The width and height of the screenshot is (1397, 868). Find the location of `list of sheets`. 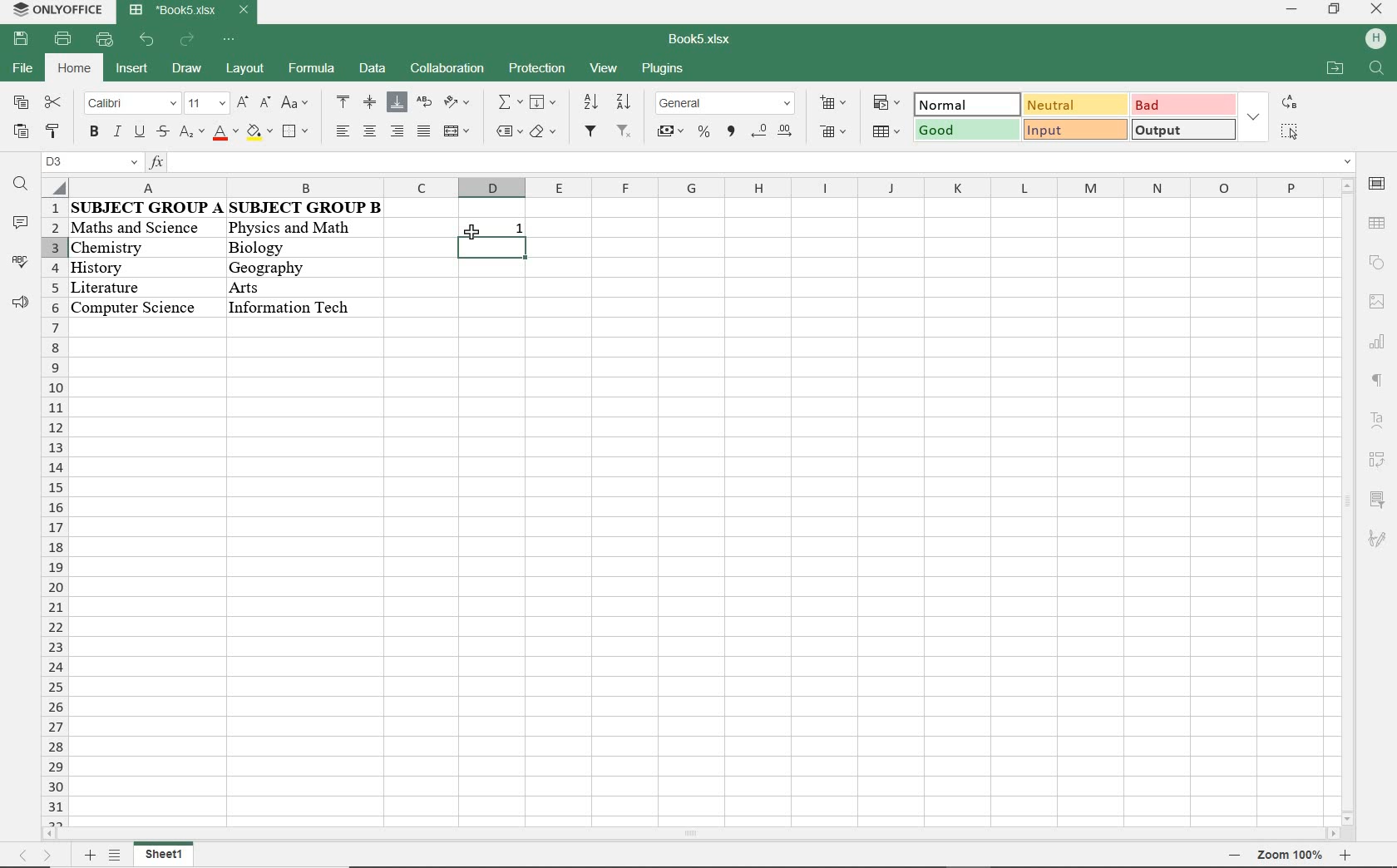

list of sheets is located at coordinates (116, 856).